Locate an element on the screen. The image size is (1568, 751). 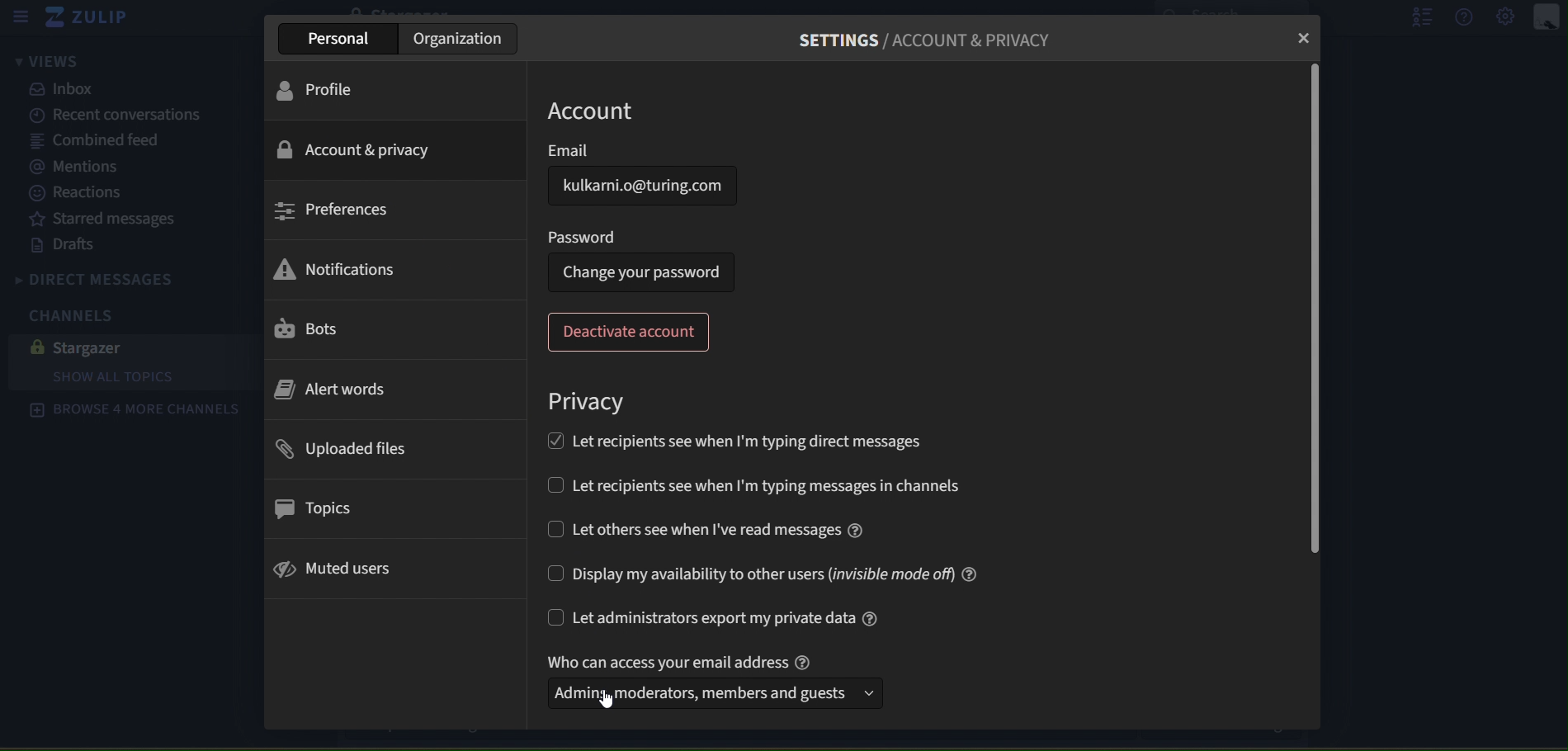
reactions is located at coordinates (92, 193).